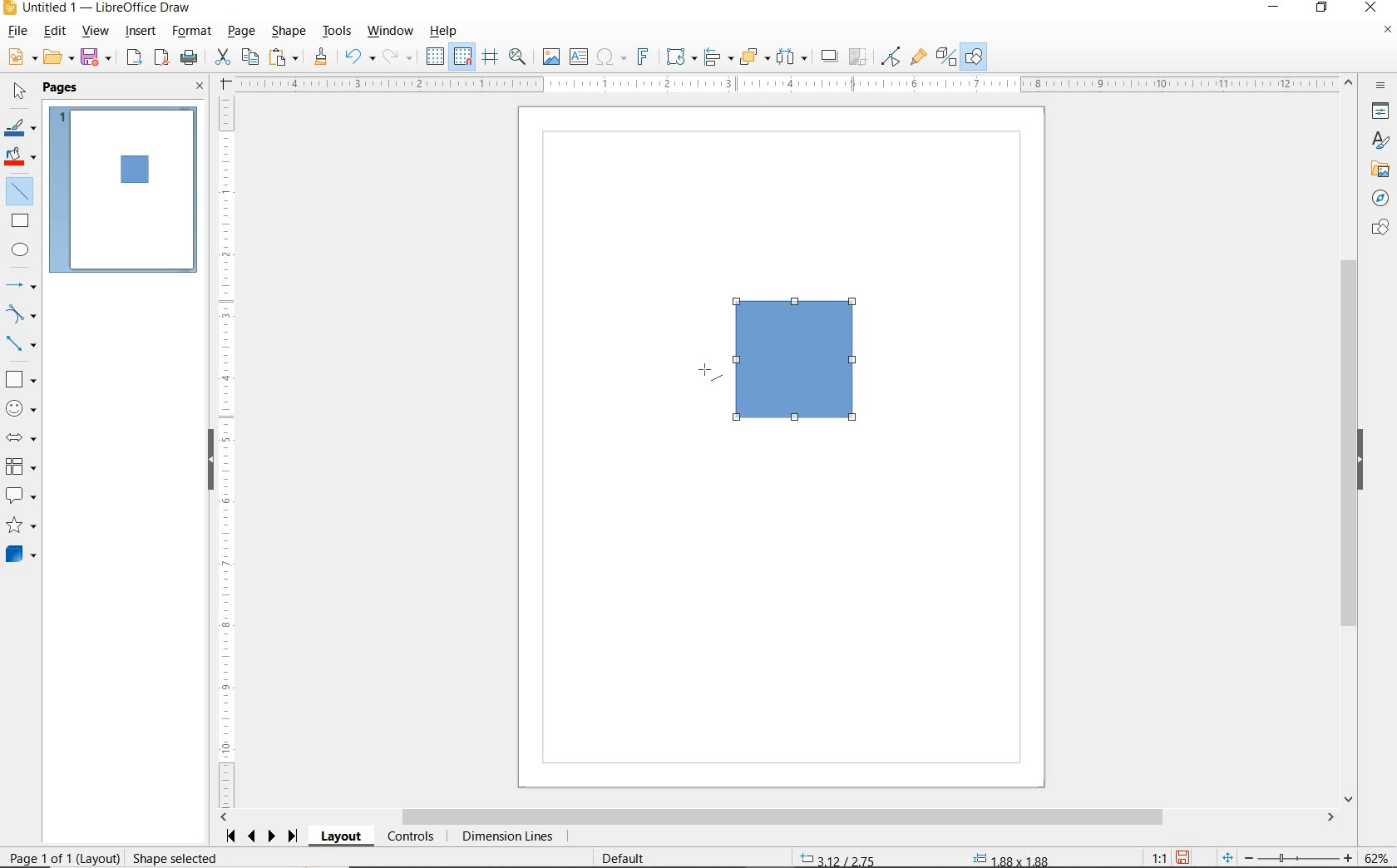  What do you see at coordinates (578, 57) in the screenshot?
I see `INSERT TEXT BOX` at bounding box center [578, 57].